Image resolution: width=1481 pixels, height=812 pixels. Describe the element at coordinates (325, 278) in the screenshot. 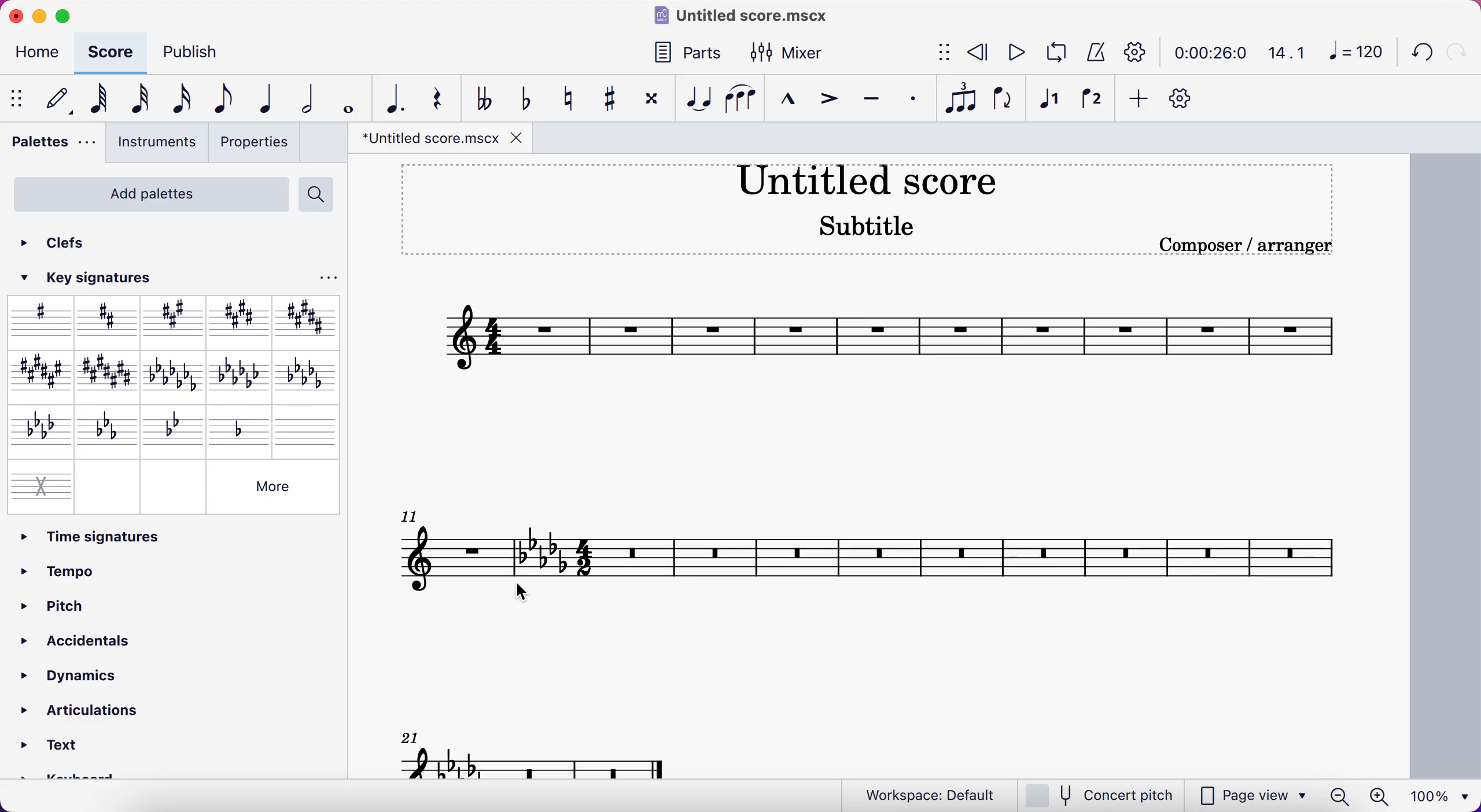

I see `options` at that location.